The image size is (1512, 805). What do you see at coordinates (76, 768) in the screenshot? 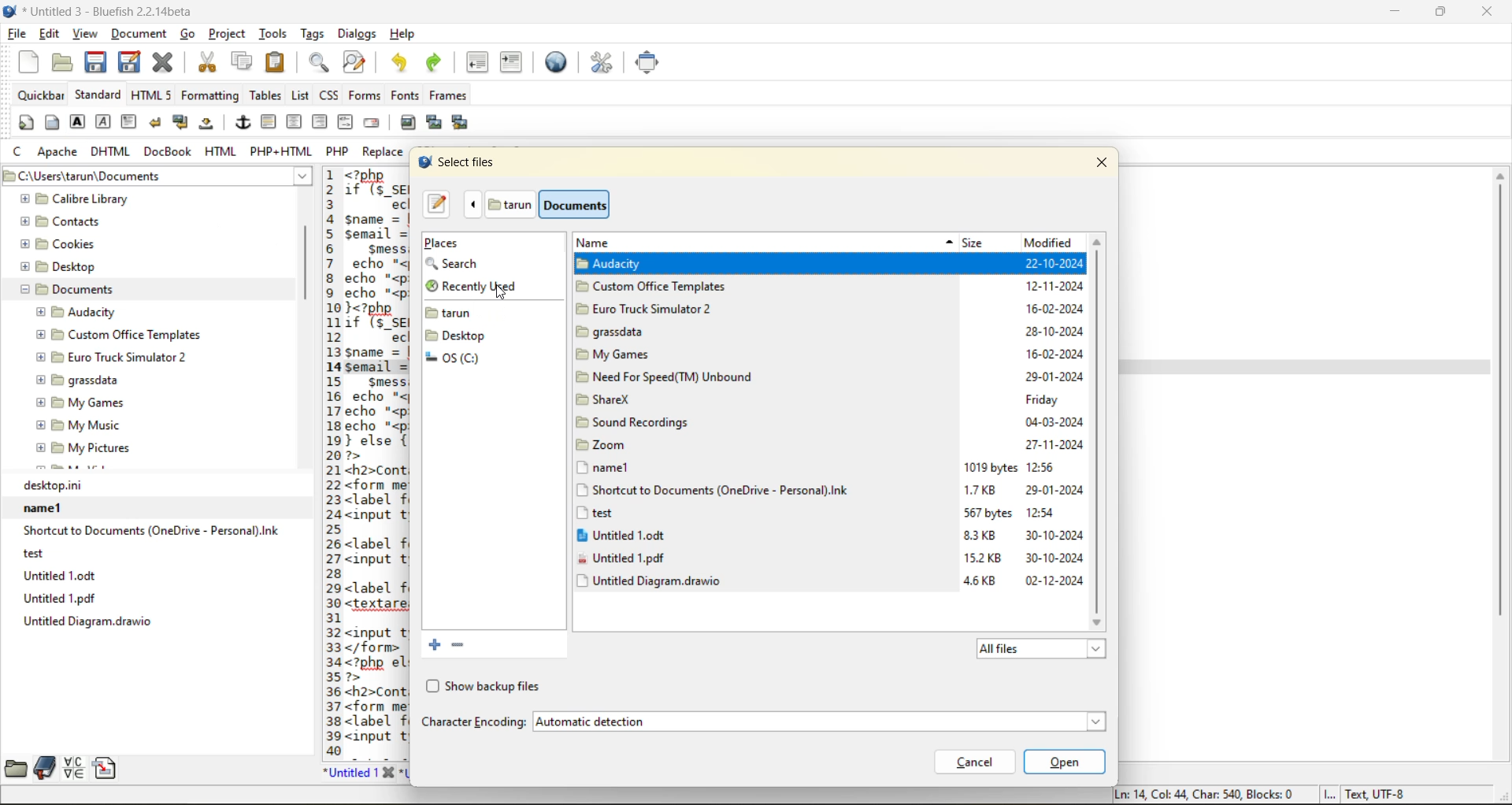
I see `charmap` at bounding box center [76, 768].